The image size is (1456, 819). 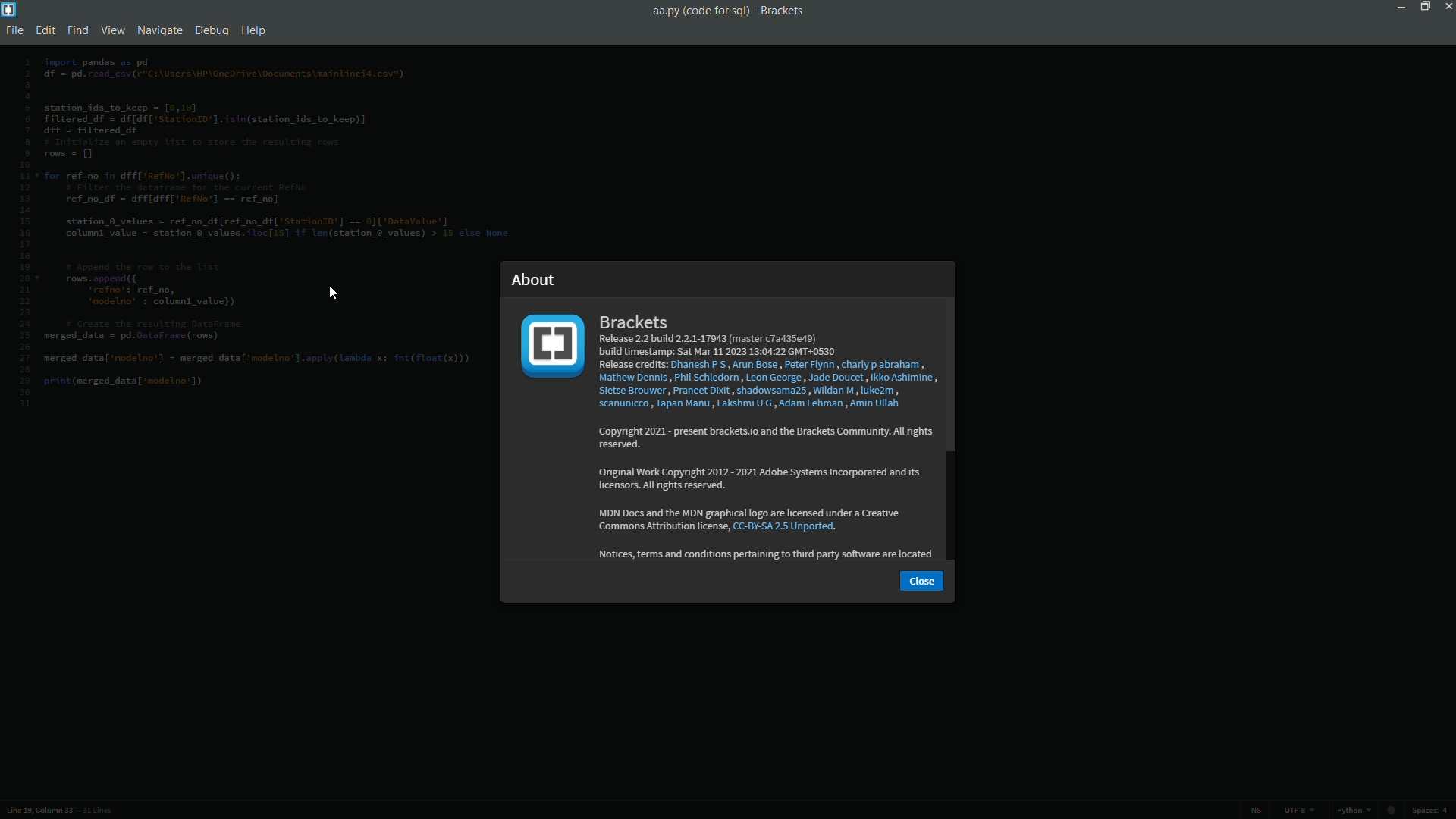 What do you see at coordinates (952, 375) in the screenshot?
I see `scroll bar` at bounding box center [952, 375].